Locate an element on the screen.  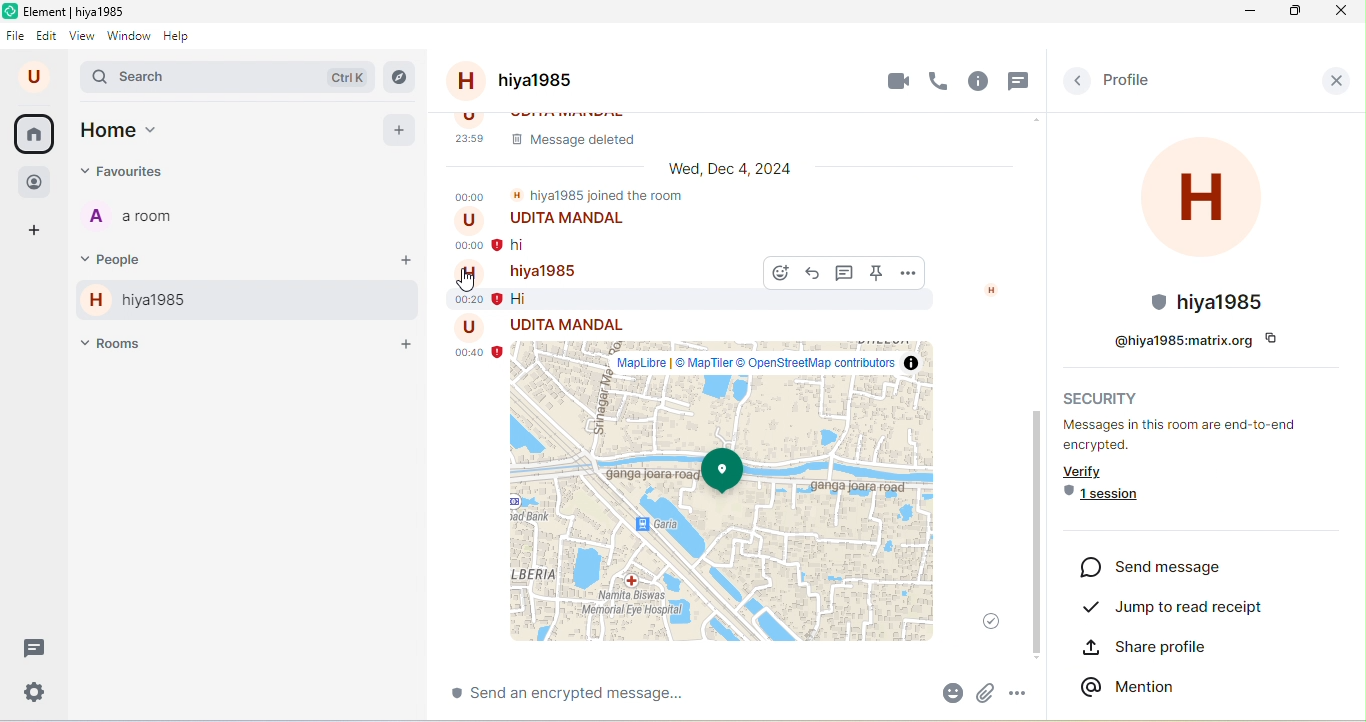
video call is located at coordinates (892, 81).